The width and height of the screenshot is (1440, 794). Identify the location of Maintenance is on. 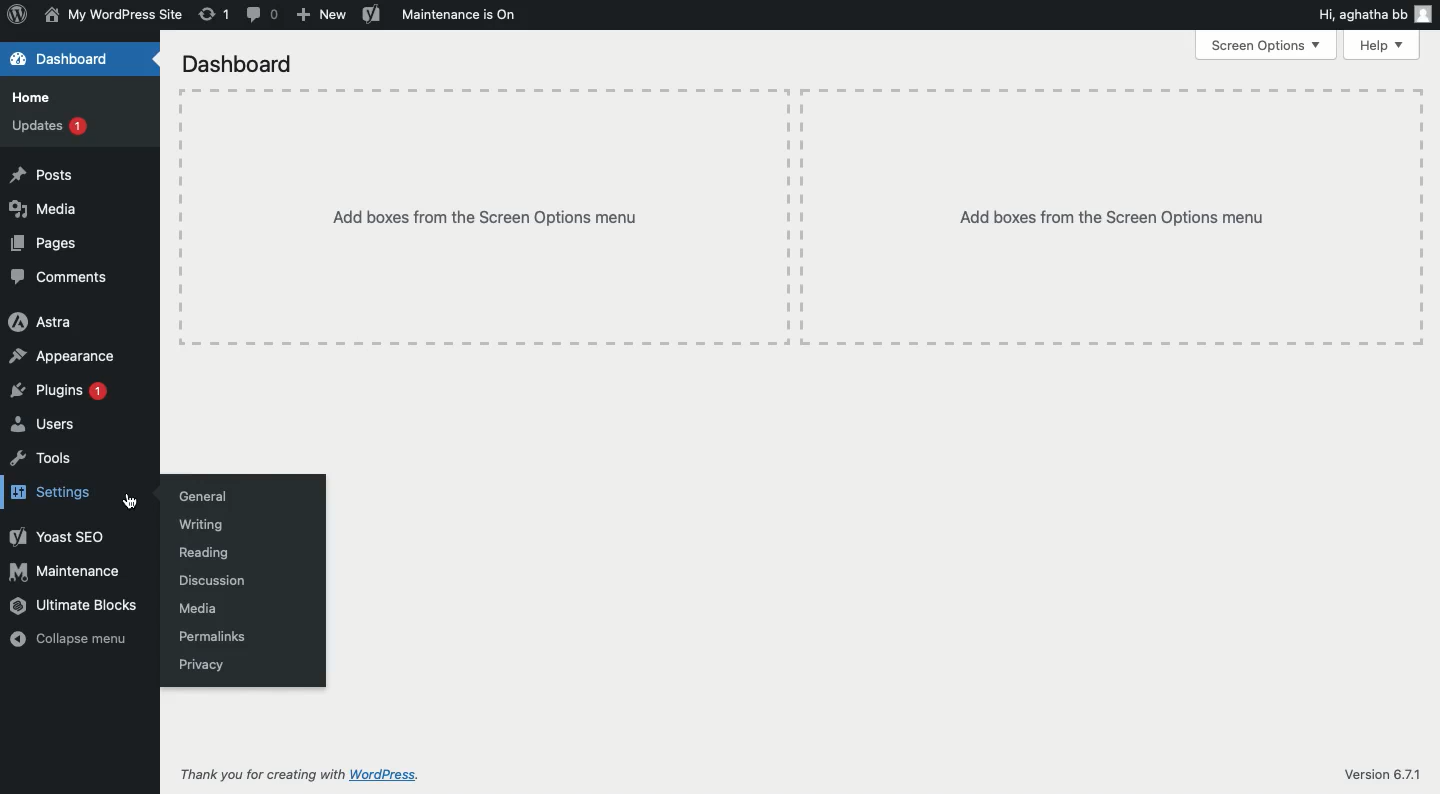
(459, 14).